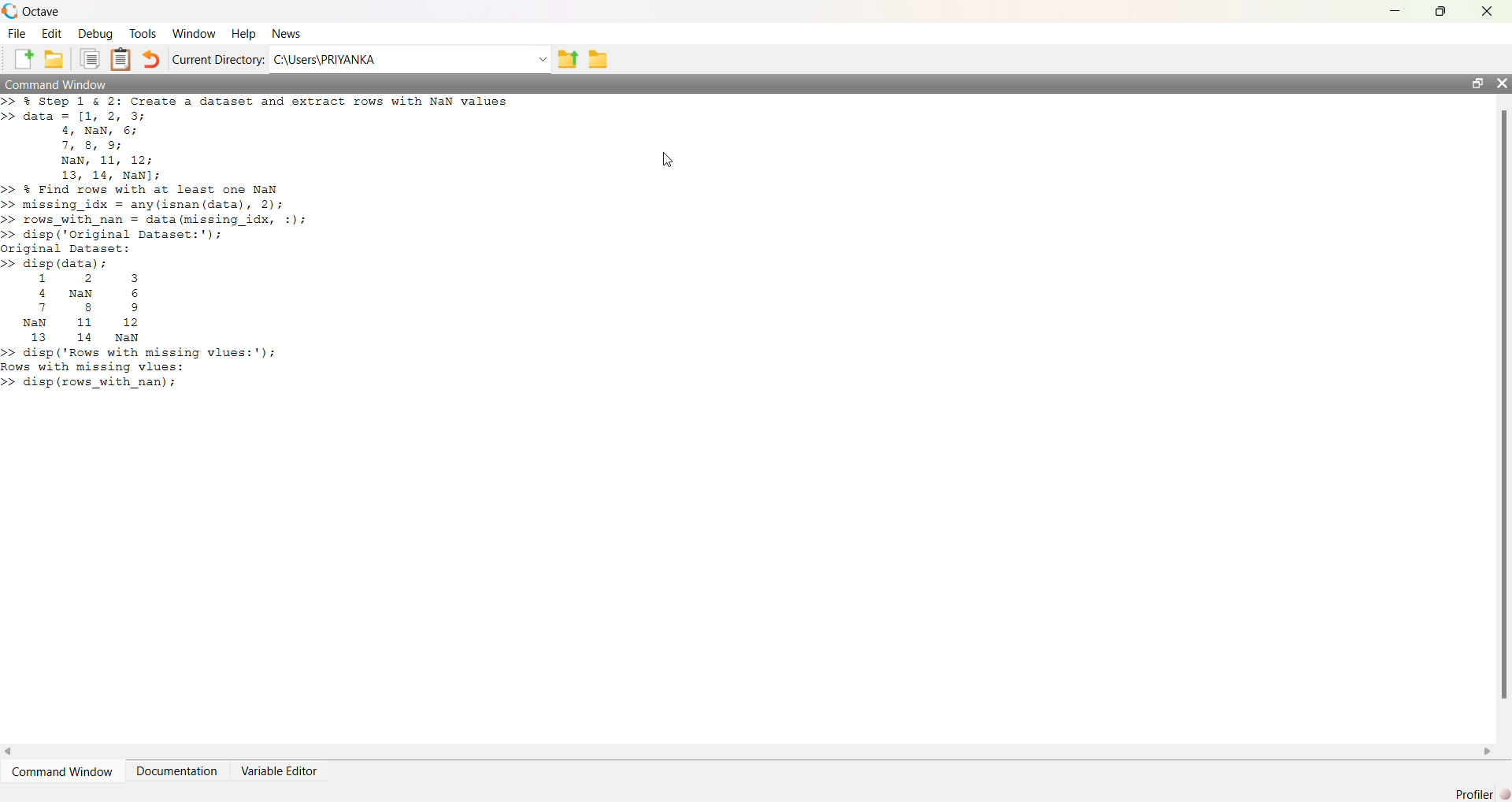 The height and width of the screenshot is (802, 1512). I want to click on folder, so click(598, 60).